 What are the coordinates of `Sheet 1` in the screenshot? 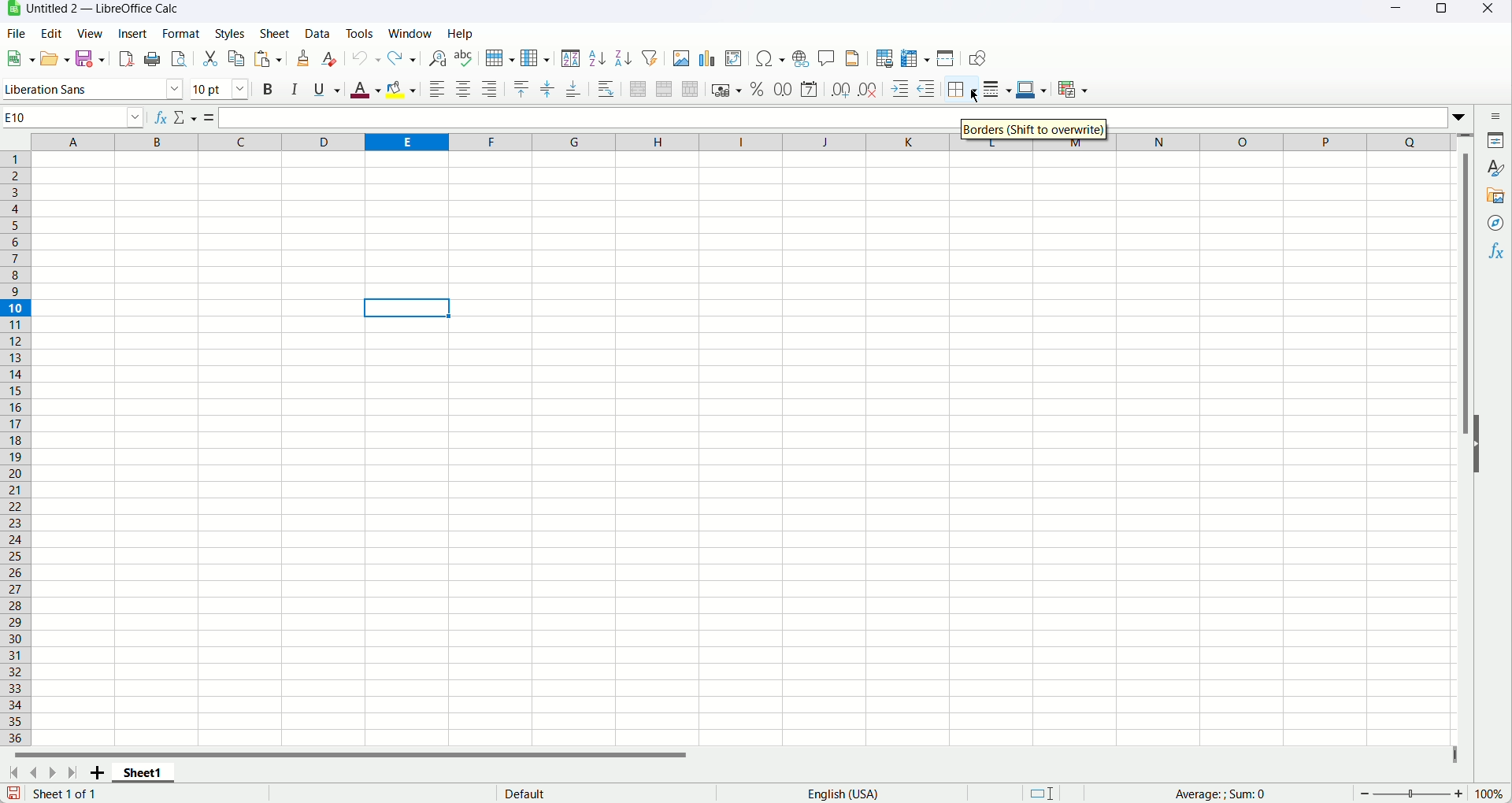 It's located at (144, 775).